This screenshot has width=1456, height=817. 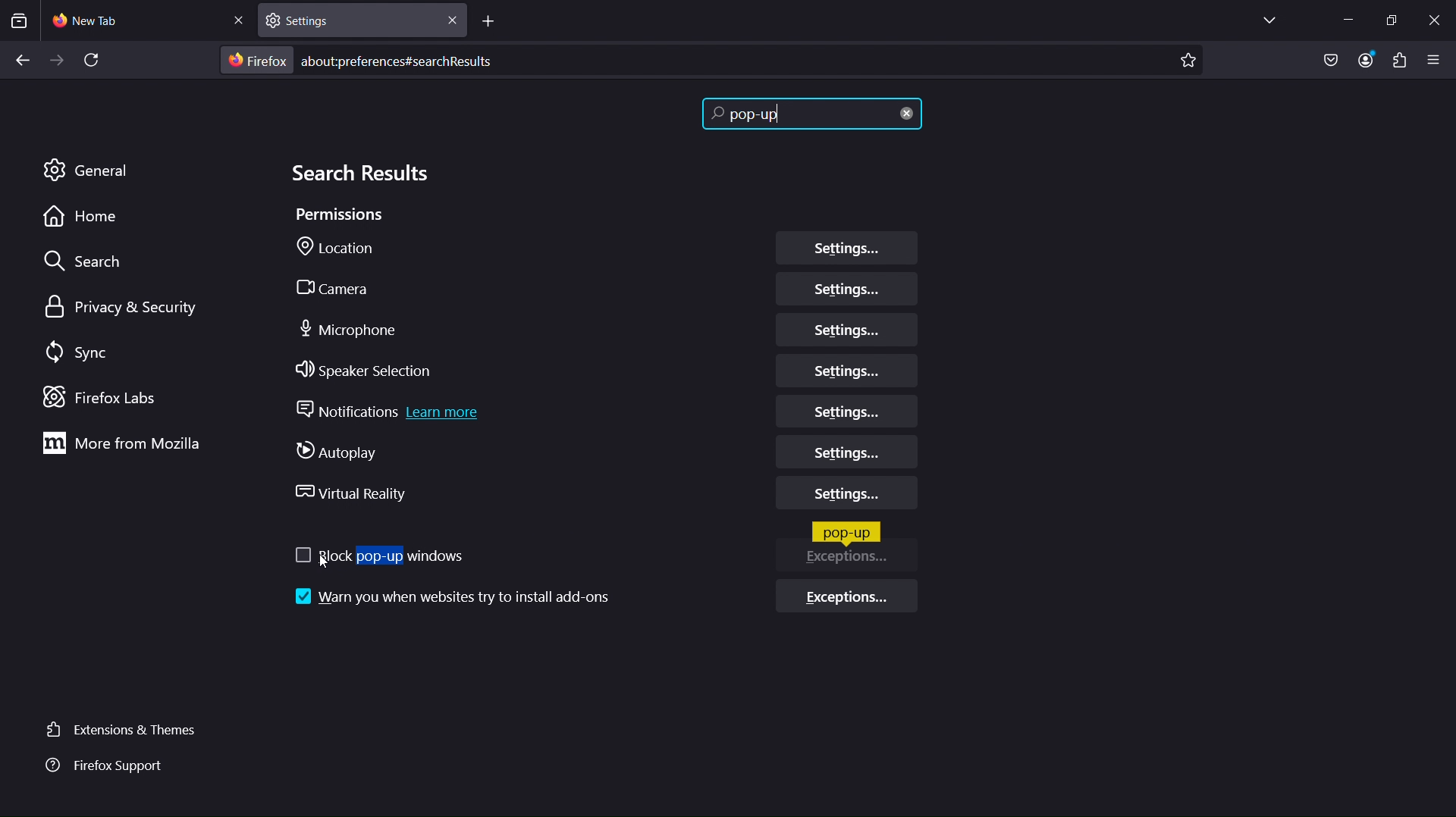 I want to click on Autoplay, so click(x=345, y=452).